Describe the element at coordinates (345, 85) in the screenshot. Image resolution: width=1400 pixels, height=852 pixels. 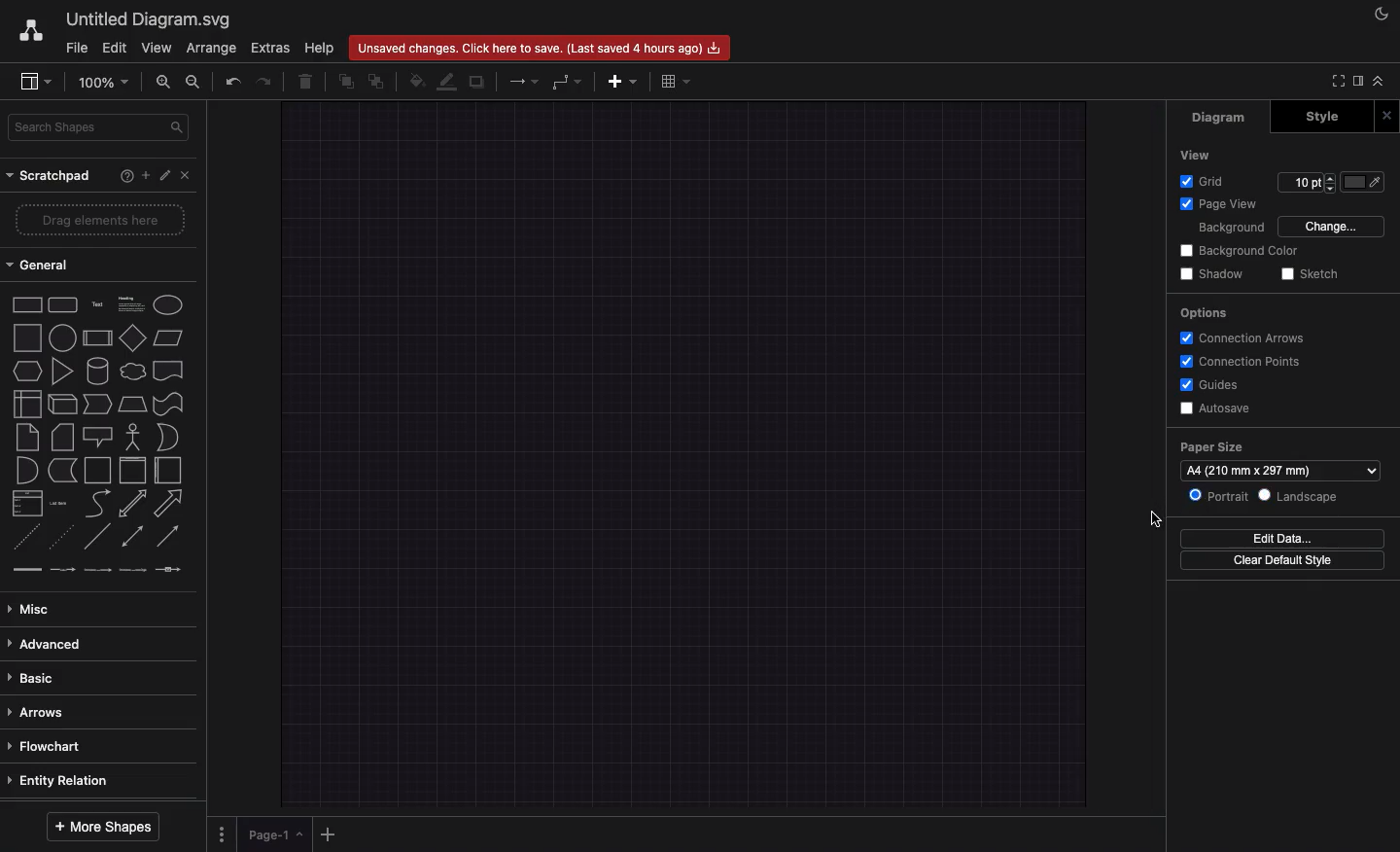
I see `To front` at that location.